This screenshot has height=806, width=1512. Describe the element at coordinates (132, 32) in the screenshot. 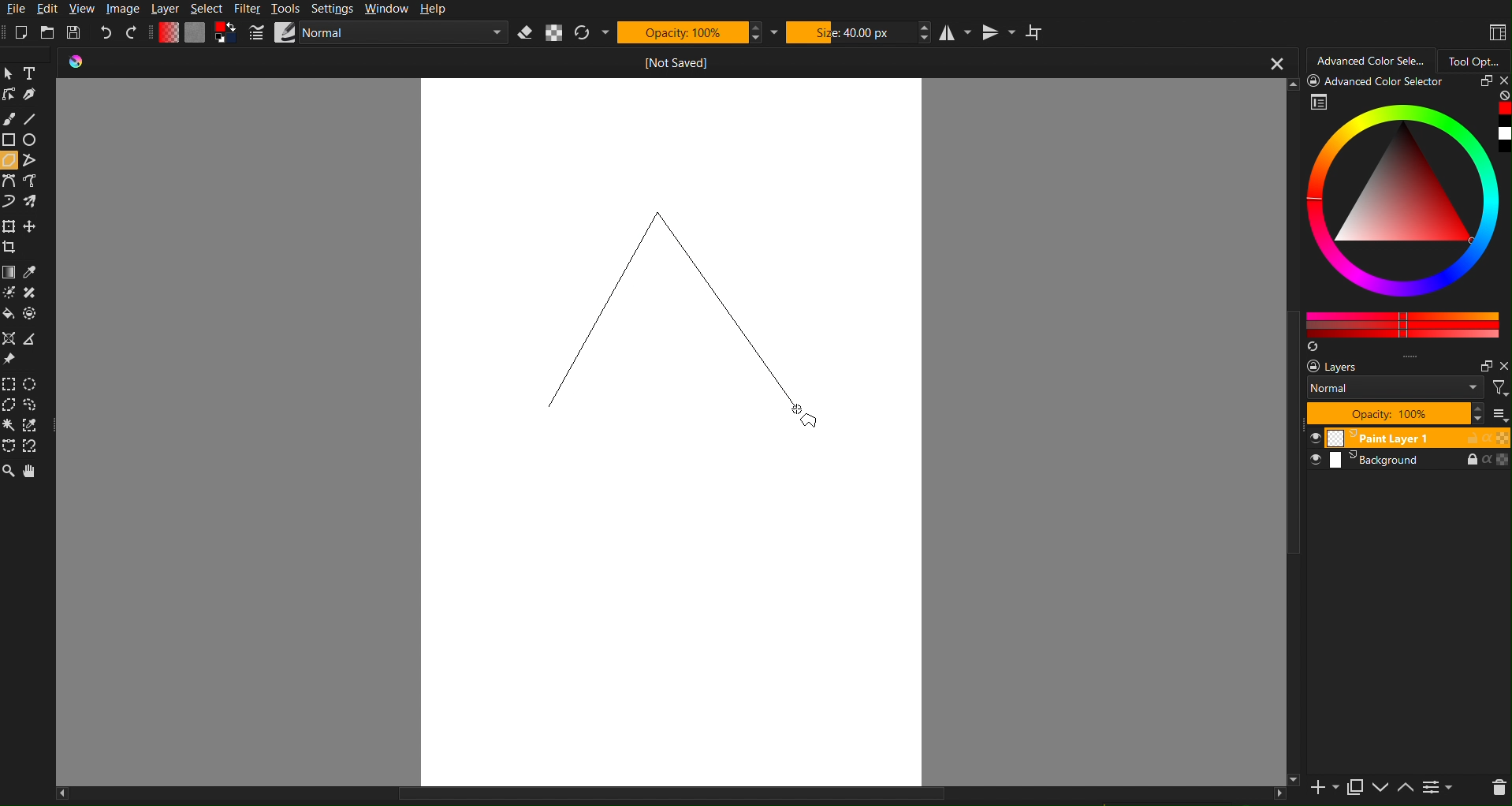

I see `Redo` at that location.